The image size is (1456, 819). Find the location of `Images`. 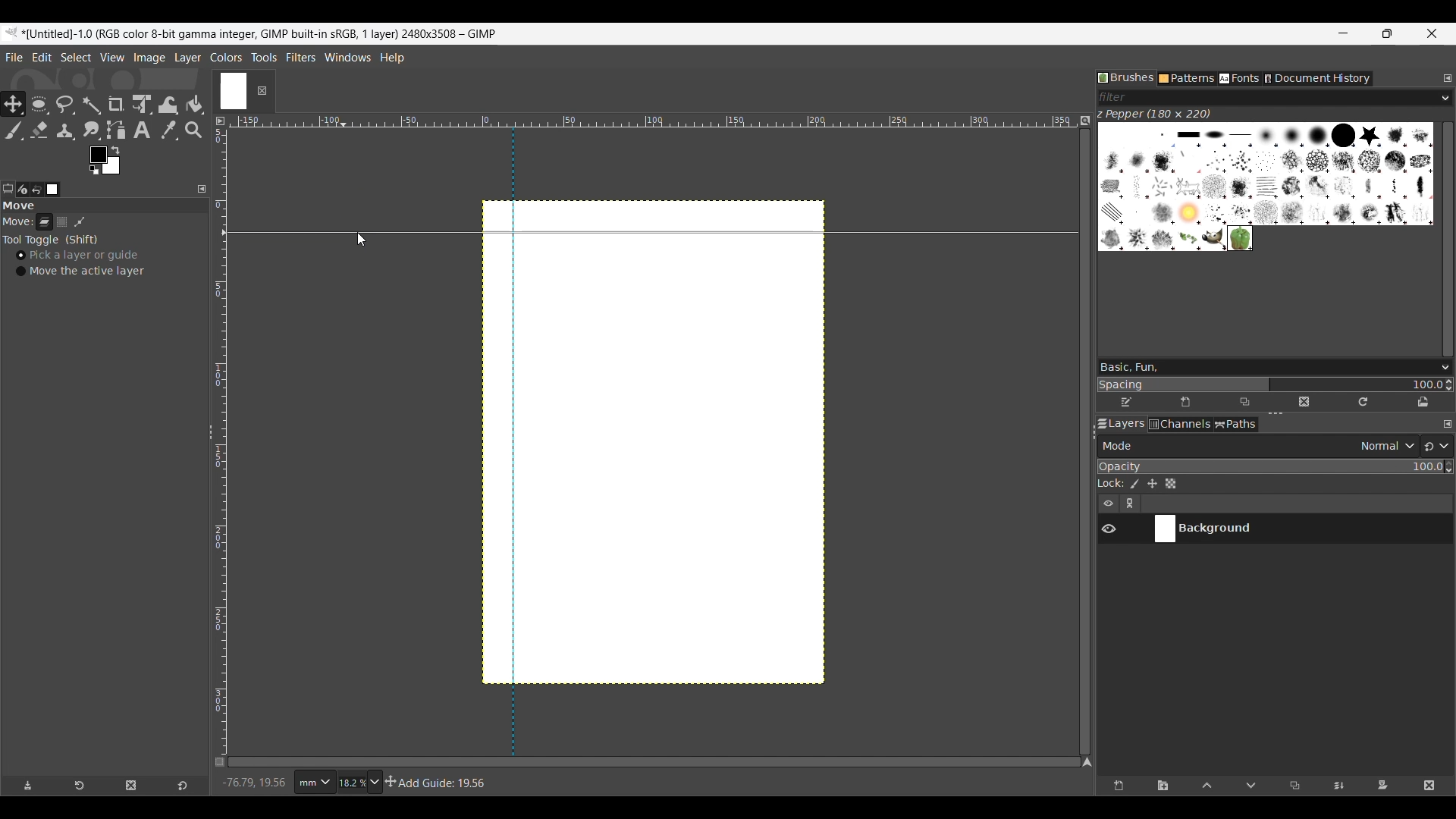

Images is located at coordinates (53, 190).